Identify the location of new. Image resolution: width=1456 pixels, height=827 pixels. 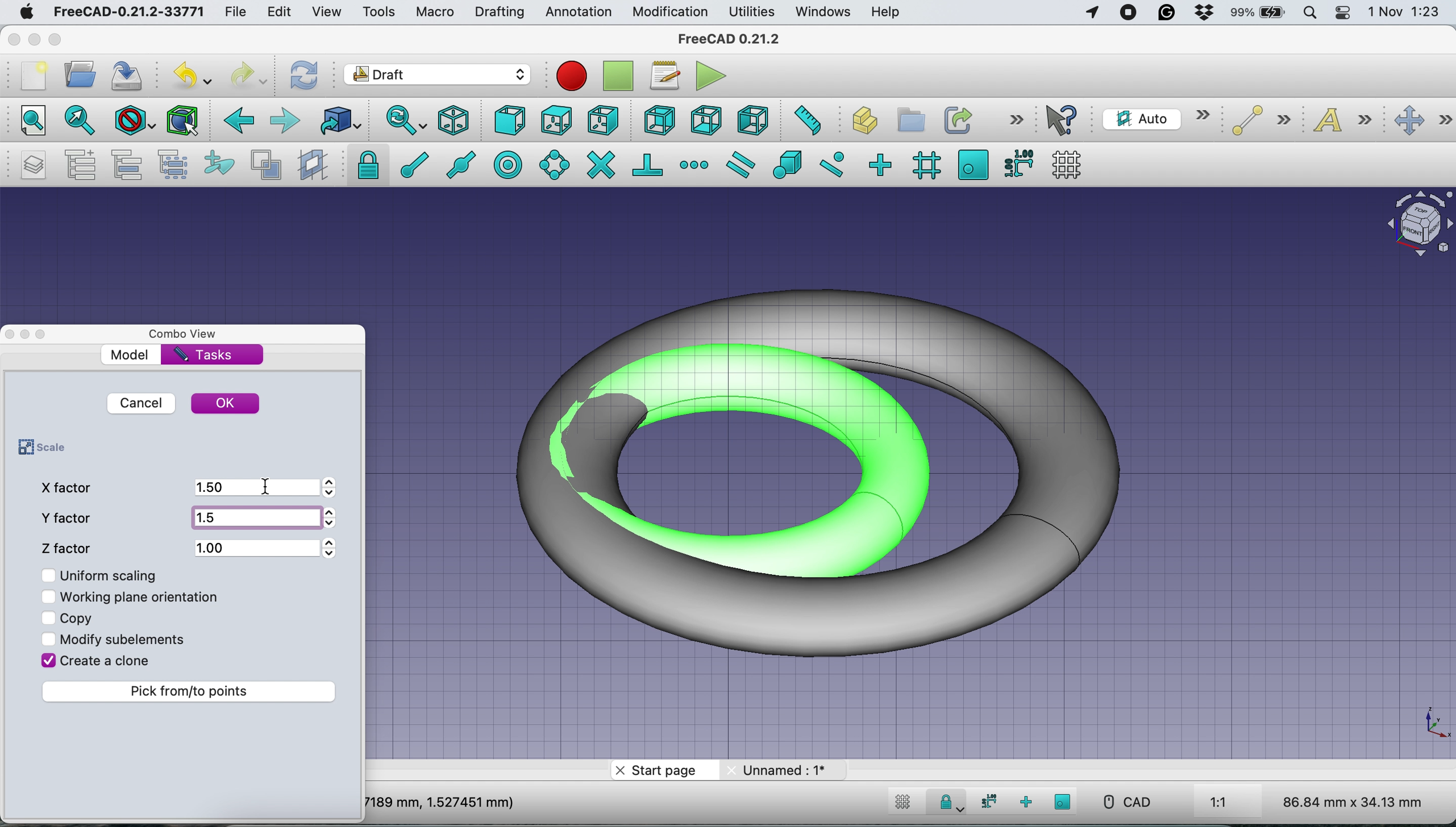
(32, 76).